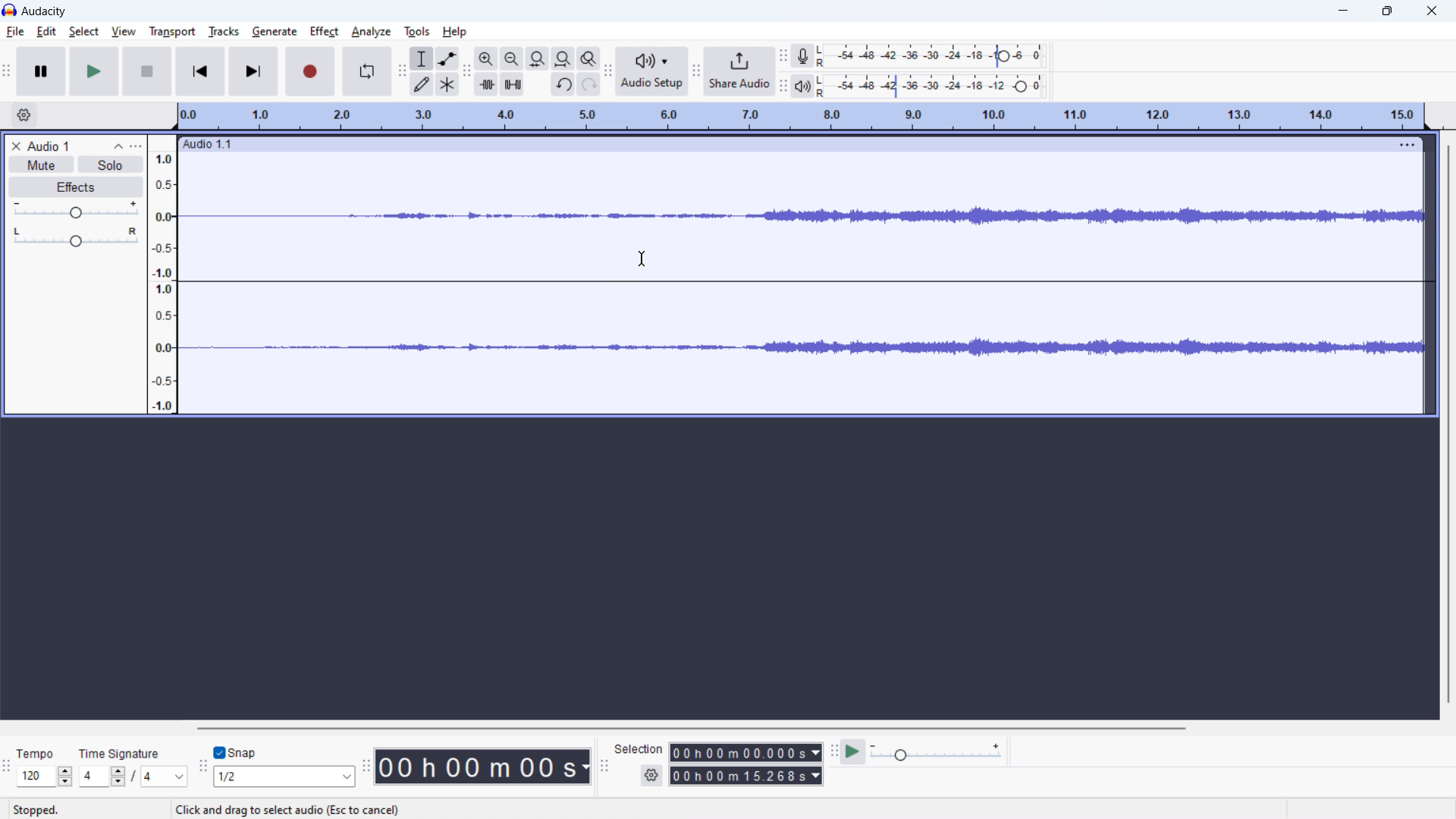  I want to click on horizontal scrollbar, so click(689, 728).